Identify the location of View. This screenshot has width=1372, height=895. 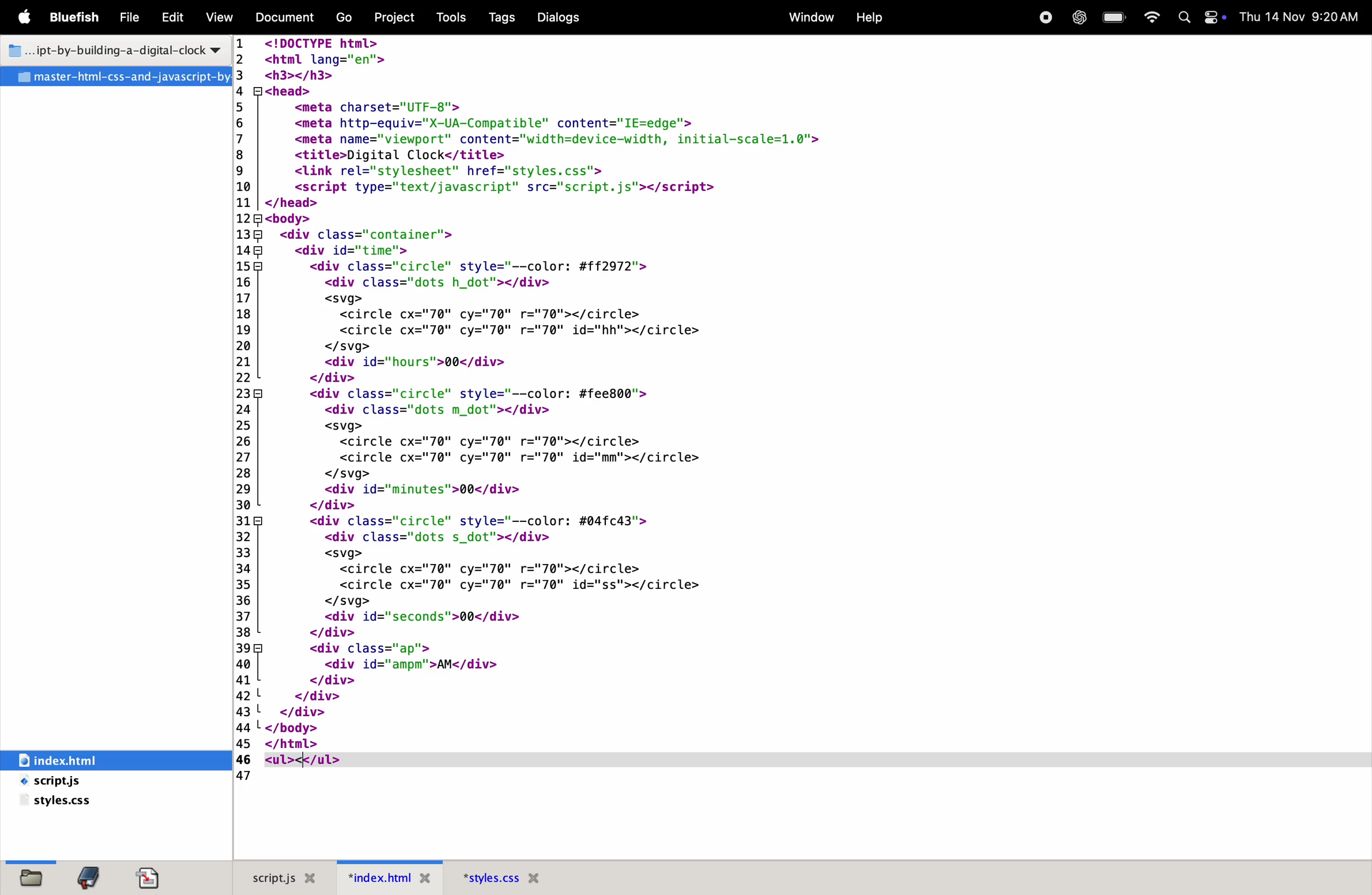
(220, 17).